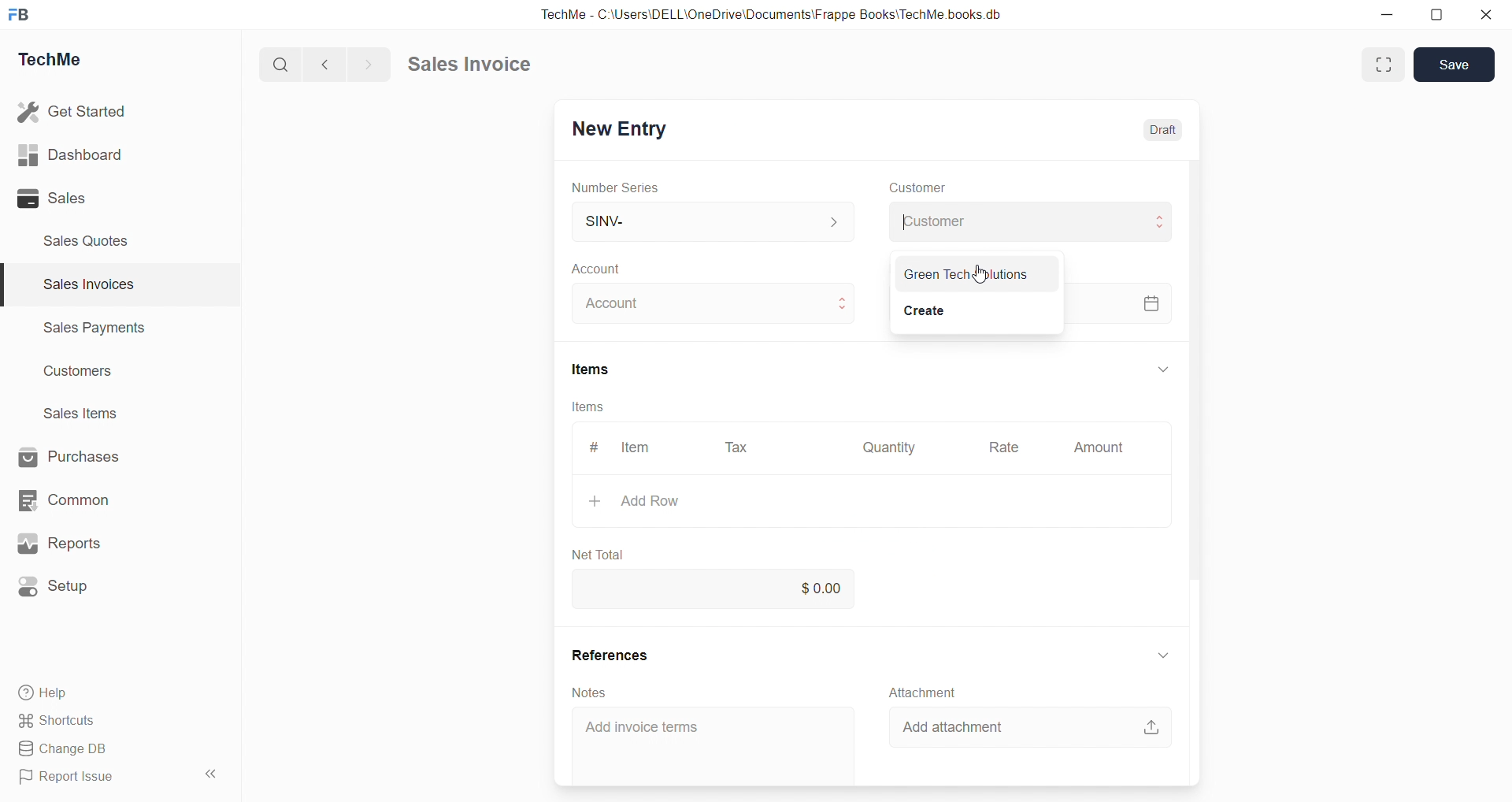 The image size is (1512, 802). What do you see at coordinates (96, 326) in the screenshot?
I see `Sales Payments` at bounding box center [96, 326].